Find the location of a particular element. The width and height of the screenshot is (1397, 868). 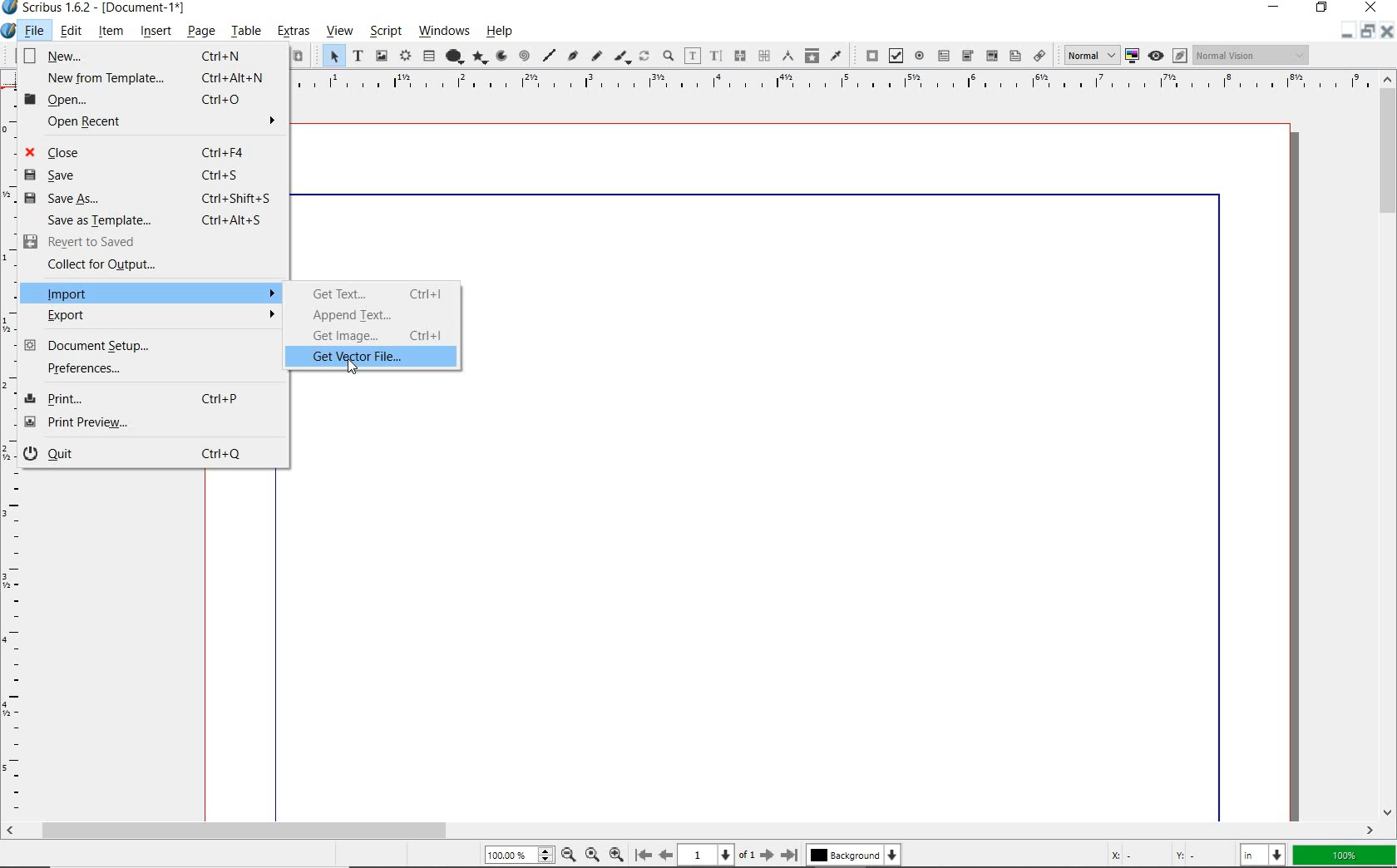

edit text with story editor is located at coordinates (716, 56).